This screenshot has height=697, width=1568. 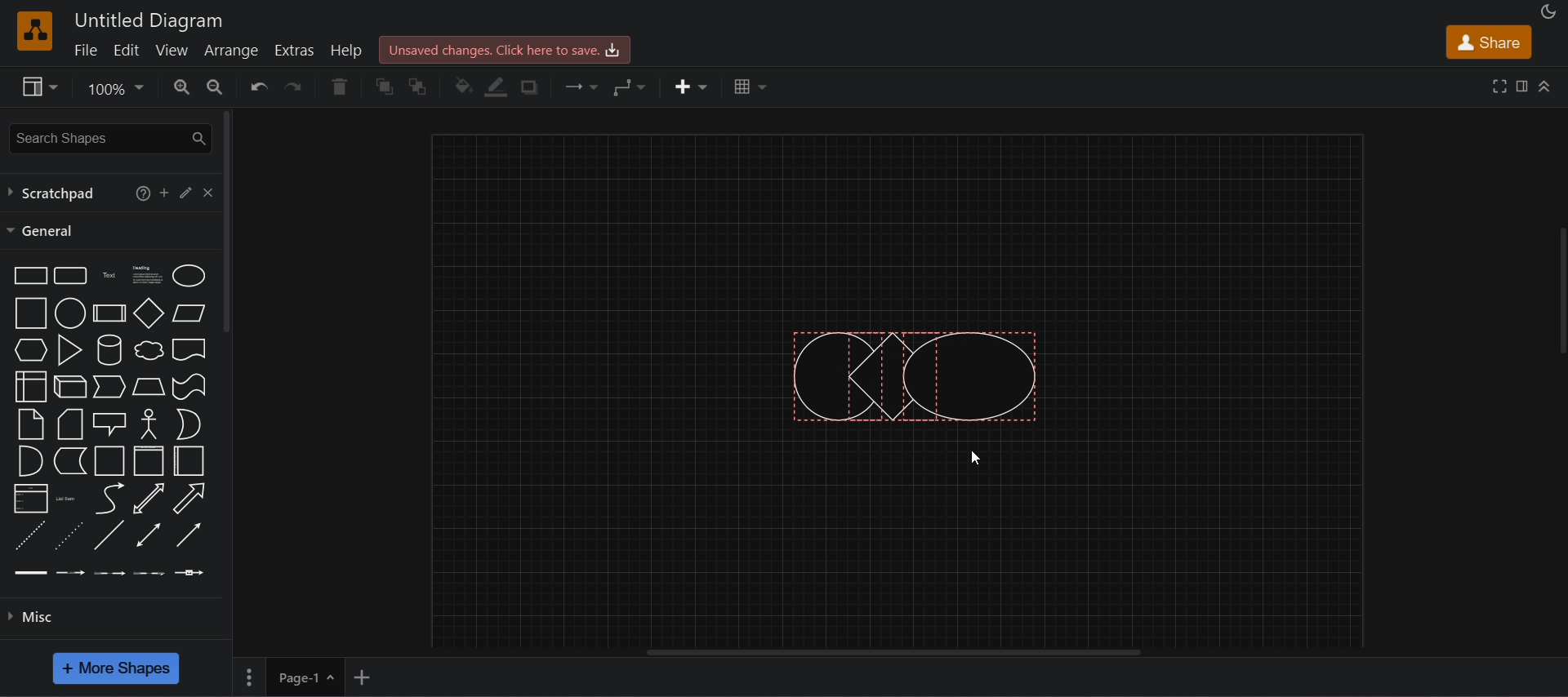 I want to click on shapes locked, so click(x=914, y=374).